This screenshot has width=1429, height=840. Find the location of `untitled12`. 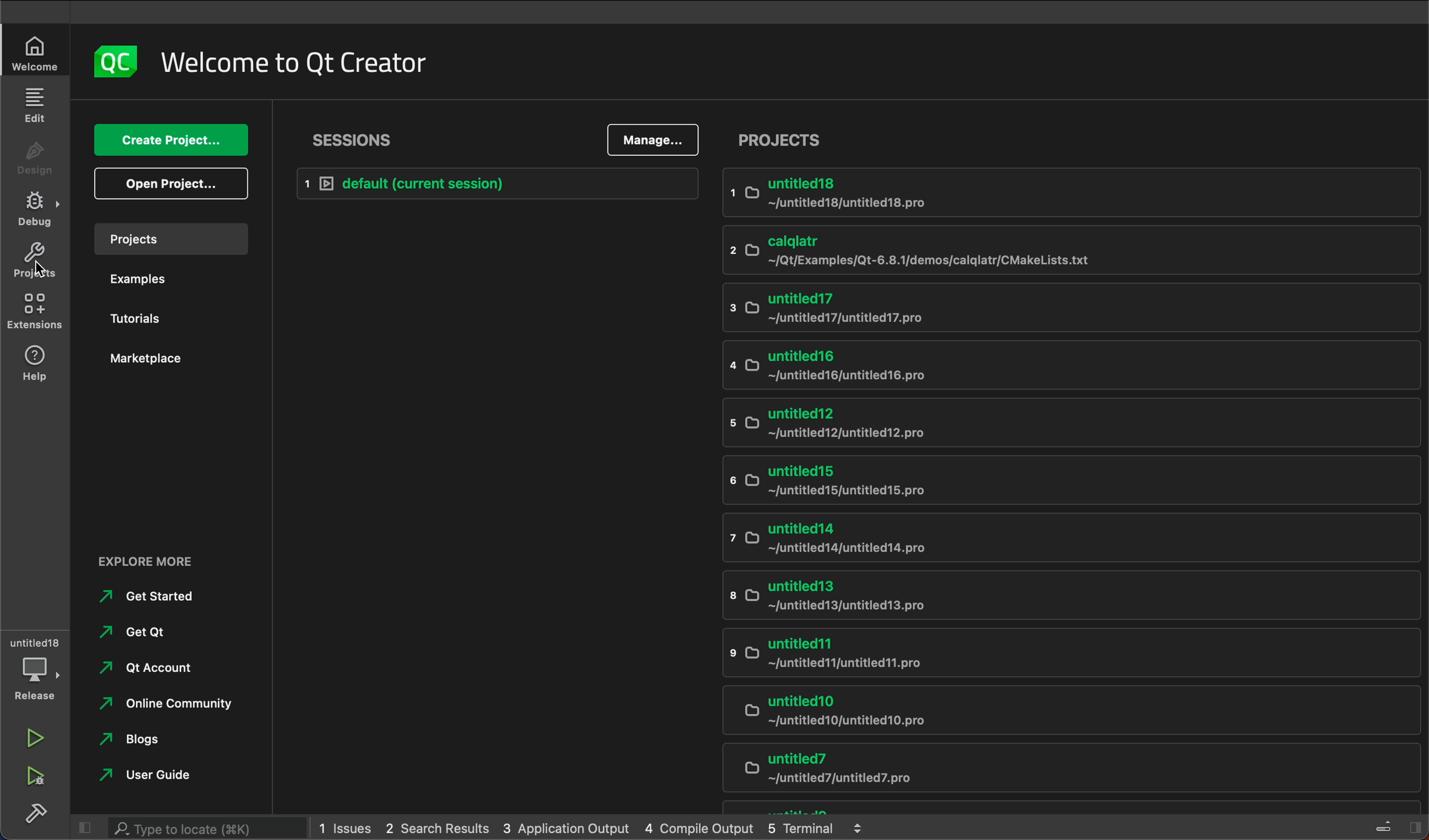

untitled12 is located at coordinates (1046, 422).